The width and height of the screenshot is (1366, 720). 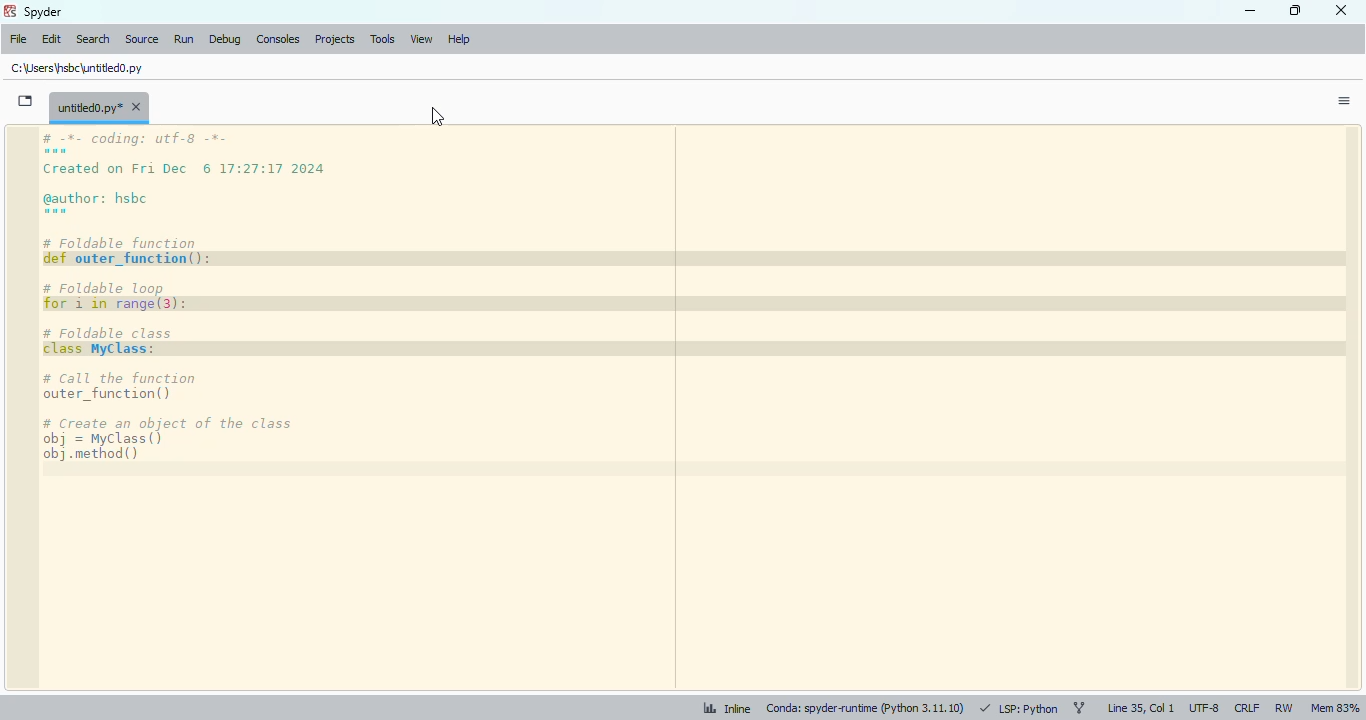 What do you see at coordinates (92, 38) in the screenshot?
I see `search` at bounding box center [92, 38].